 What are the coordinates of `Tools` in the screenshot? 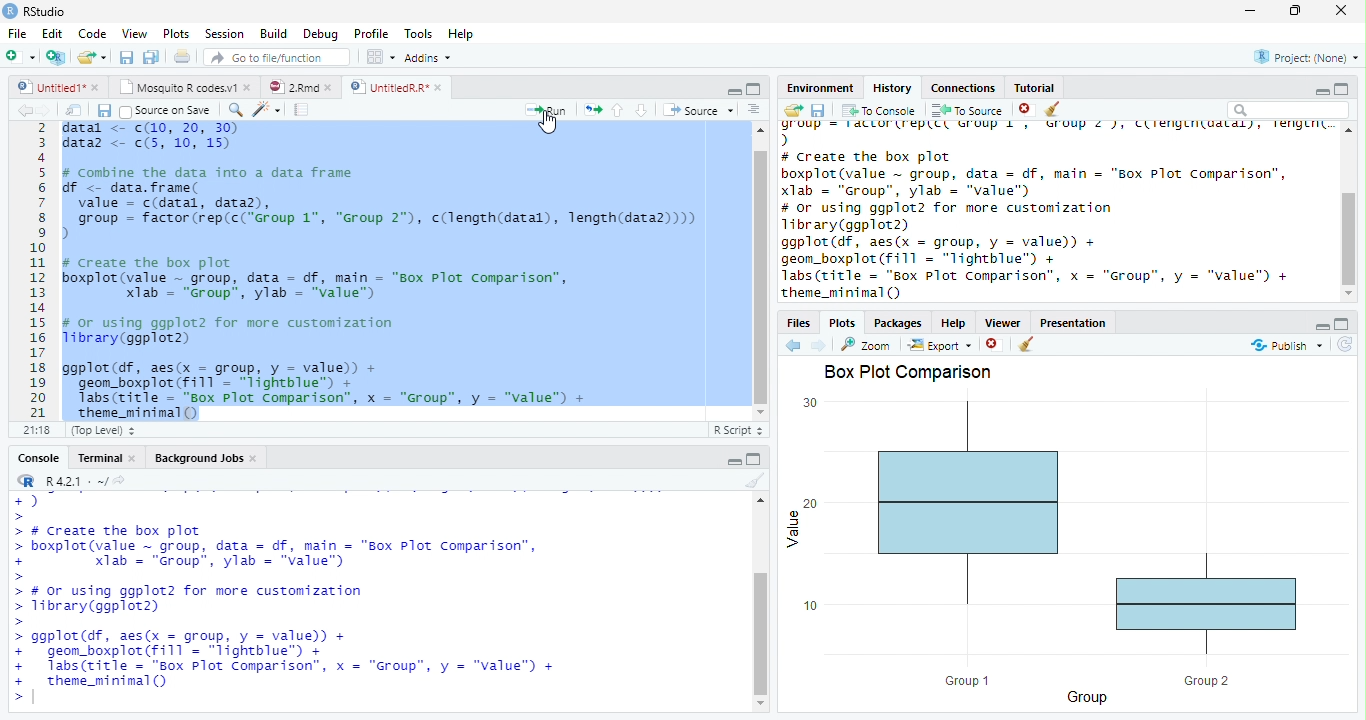 It's located at (418, 32).